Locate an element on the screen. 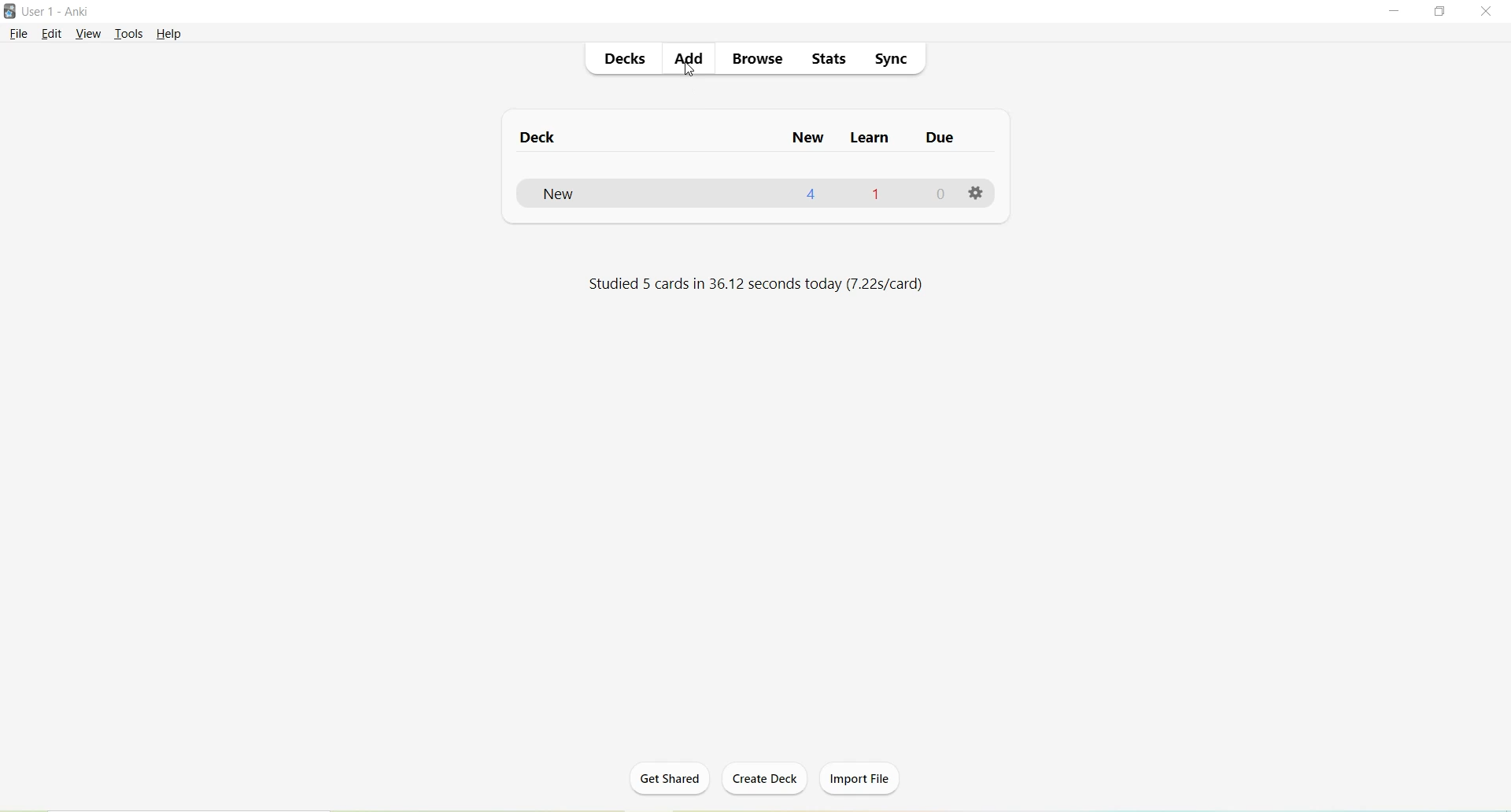 The height and width of the screenshot is (812, 1511). Logo is located at coordinates (9, 11).